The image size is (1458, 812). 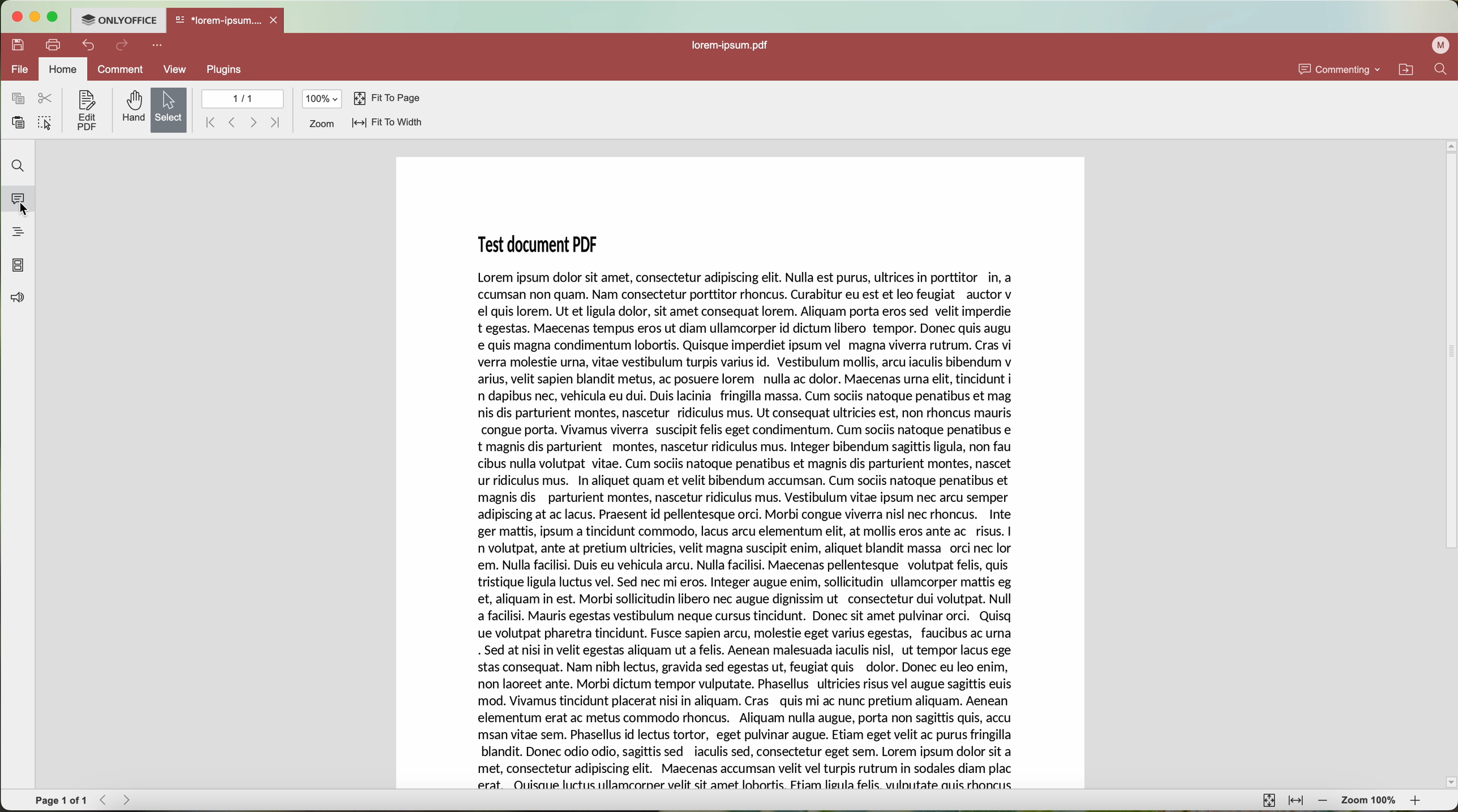 What do you see at coordinates (1370, 801) in the screenshot?
I see `zoom 100%` at bounding box center [1370, 801].